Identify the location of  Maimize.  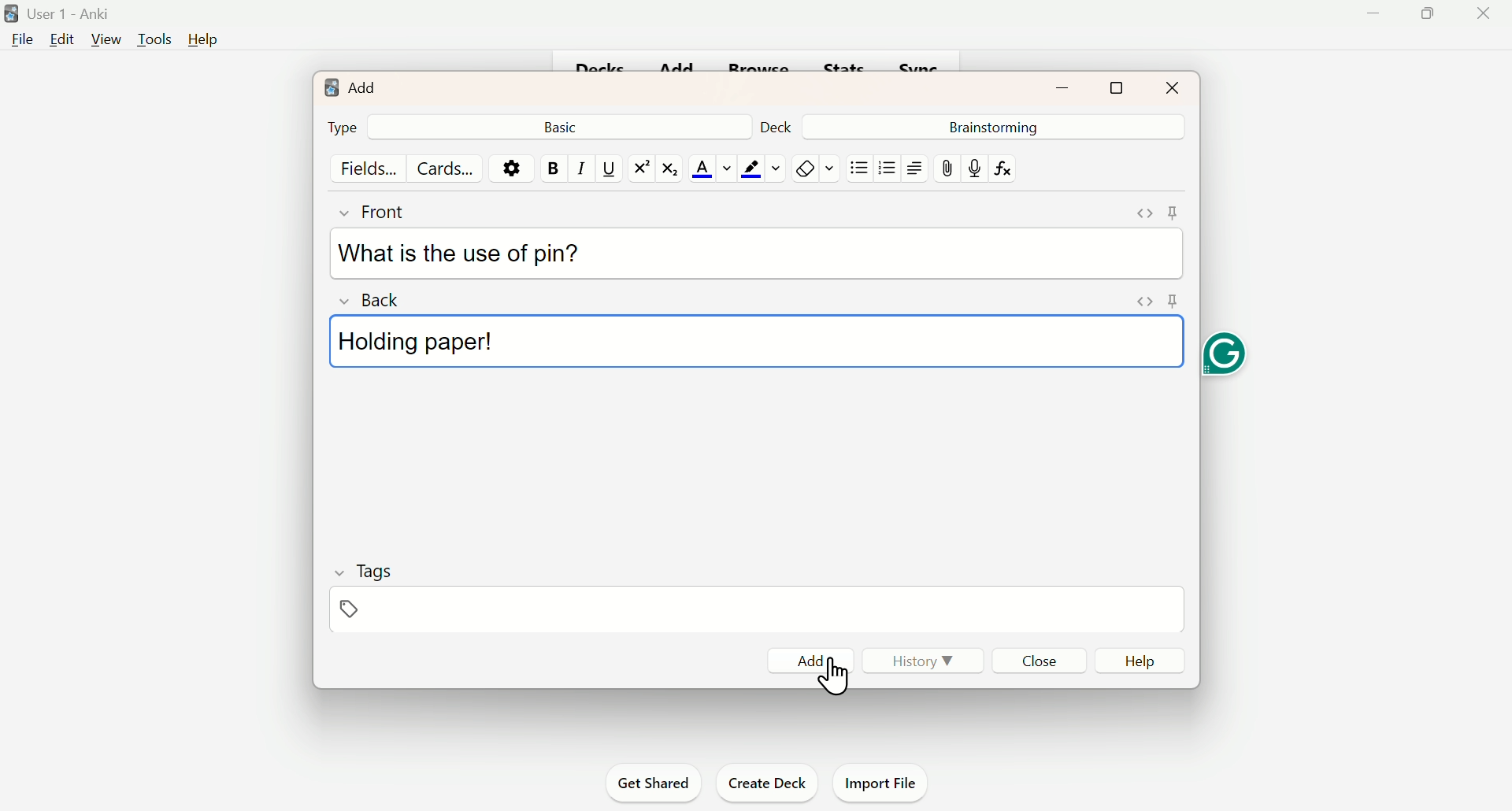
(1432, 17).